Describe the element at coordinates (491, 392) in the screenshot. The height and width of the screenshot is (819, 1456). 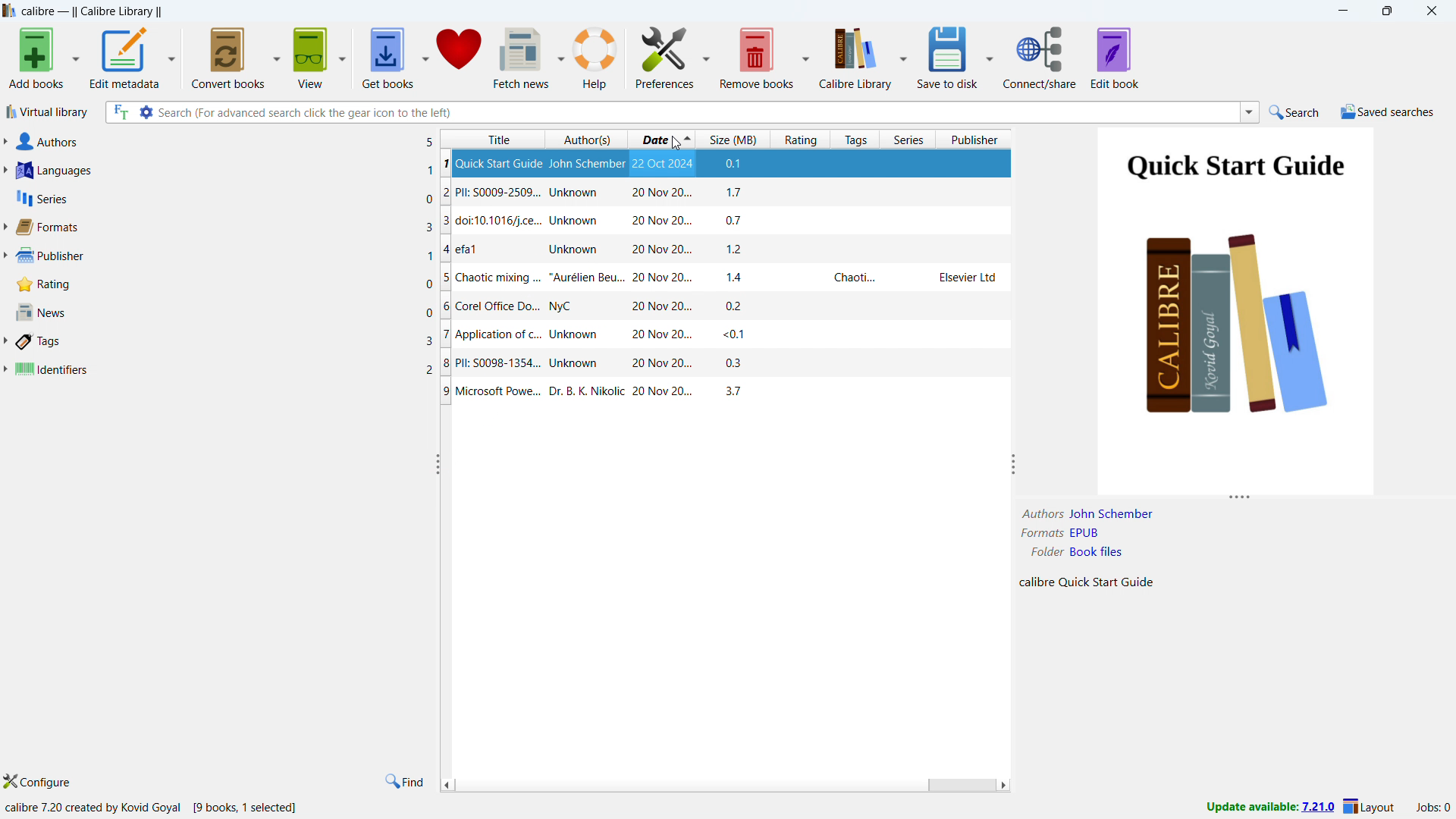
I see `9 Microsoft Powe...` at that location.